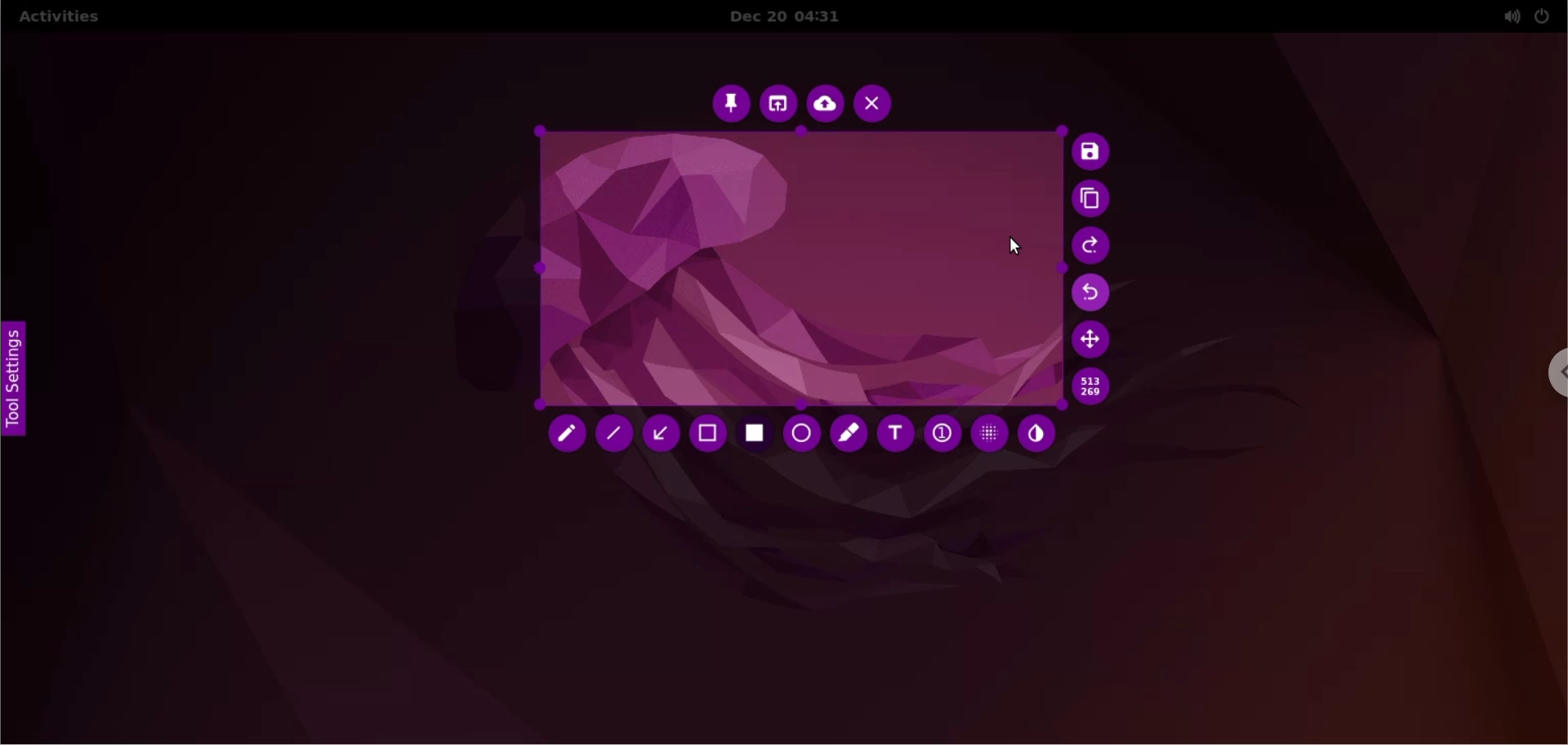  Describe the element at coordinates (756, 435) in the screenshot. I see `rectangle tool` at that location.